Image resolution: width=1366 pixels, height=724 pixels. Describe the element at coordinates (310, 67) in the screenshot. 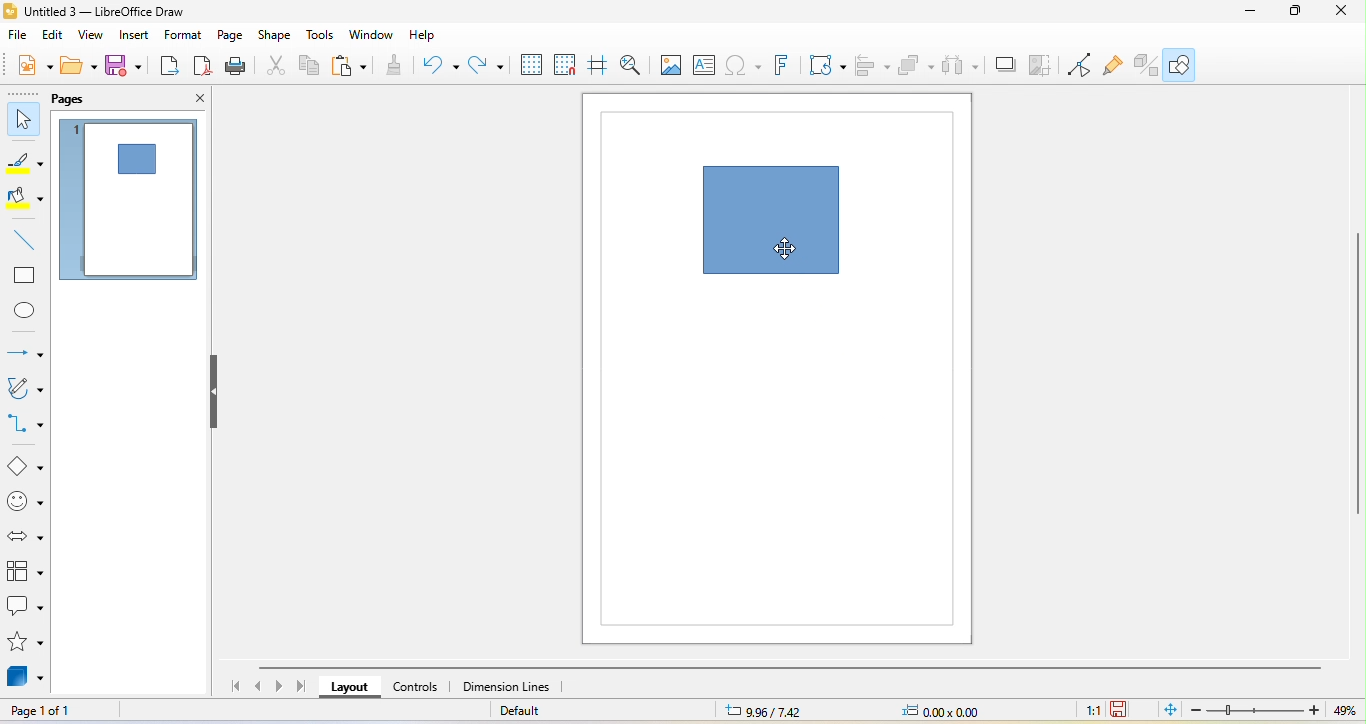

I see `copy` at that location.